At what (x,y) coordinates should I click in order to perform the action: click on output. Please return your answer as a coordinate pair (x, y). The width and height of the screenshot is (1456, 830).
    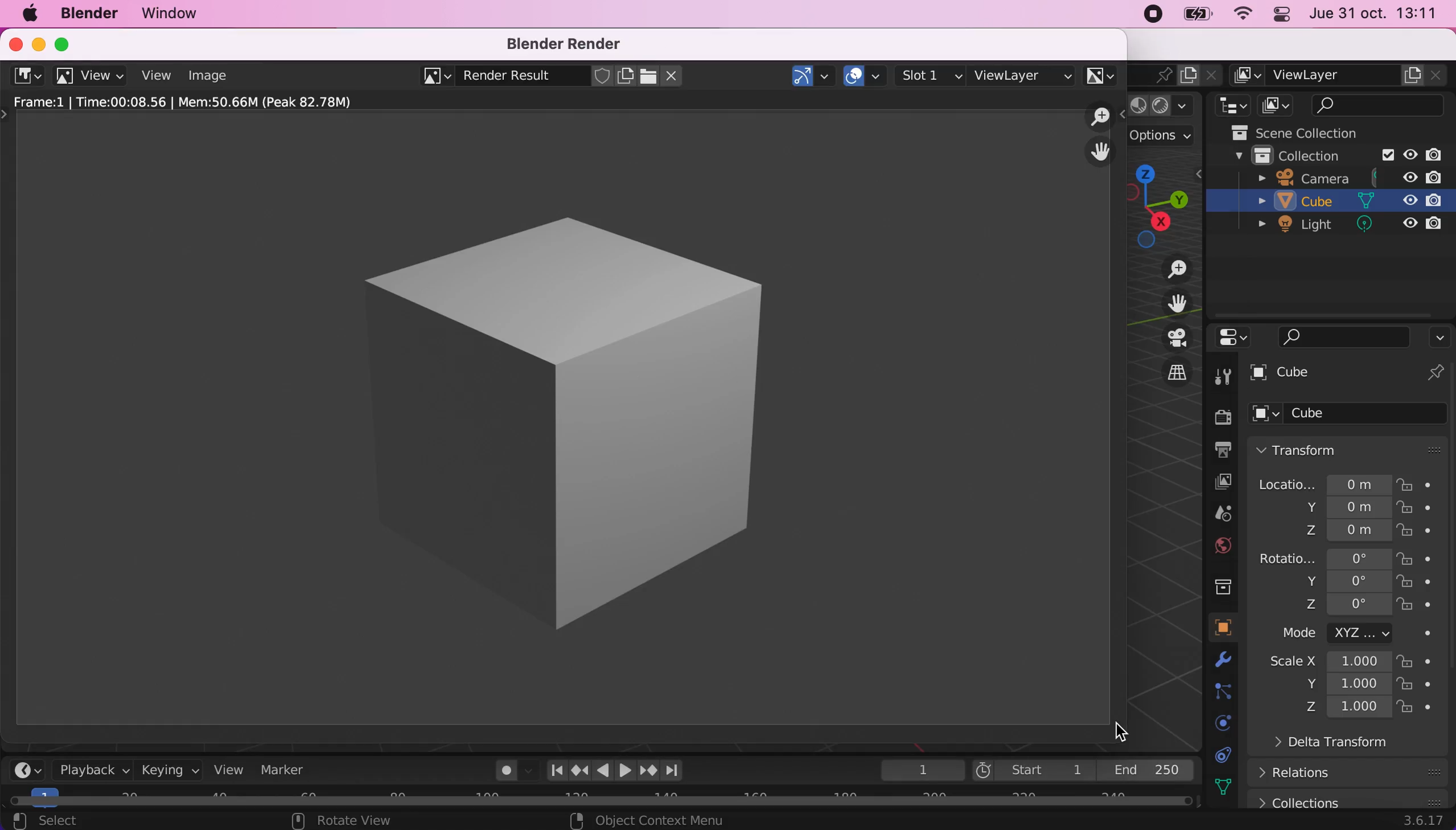
    Looking at the image, I should click on (1220, 451).